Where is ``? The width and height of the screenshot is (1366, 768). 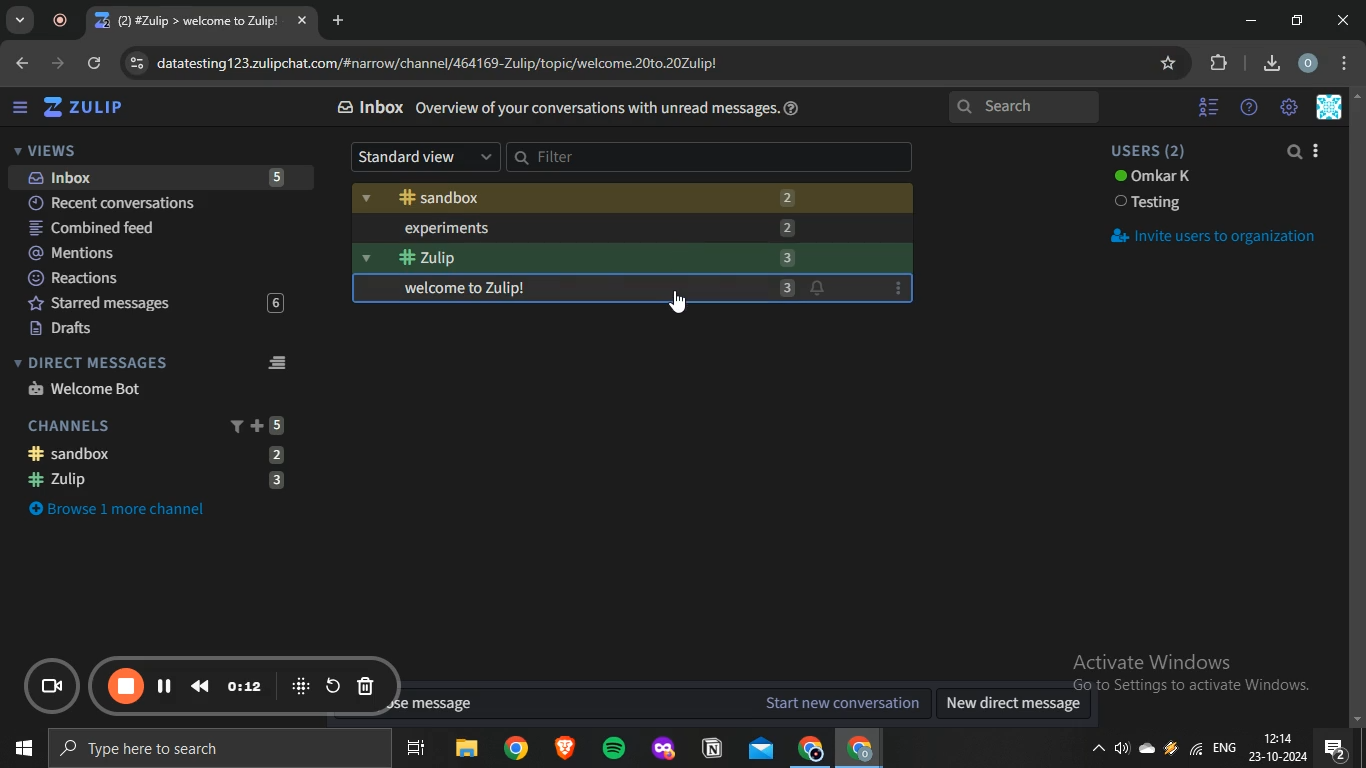  is located at coordinates (1316, 152).